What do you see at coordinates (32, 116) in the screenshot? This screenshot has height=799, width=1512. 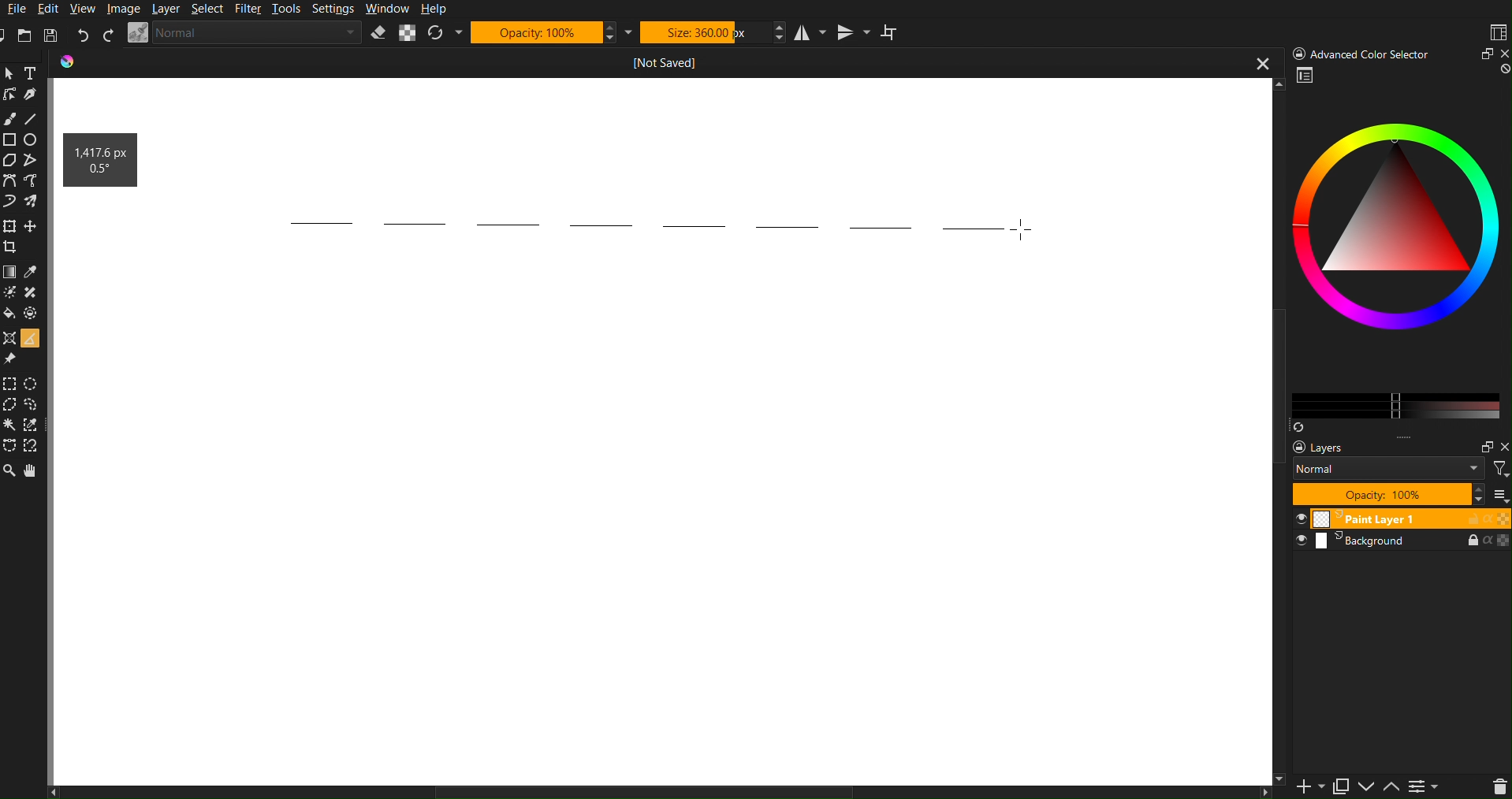 I see `Line` at bounding box center [32, 116].